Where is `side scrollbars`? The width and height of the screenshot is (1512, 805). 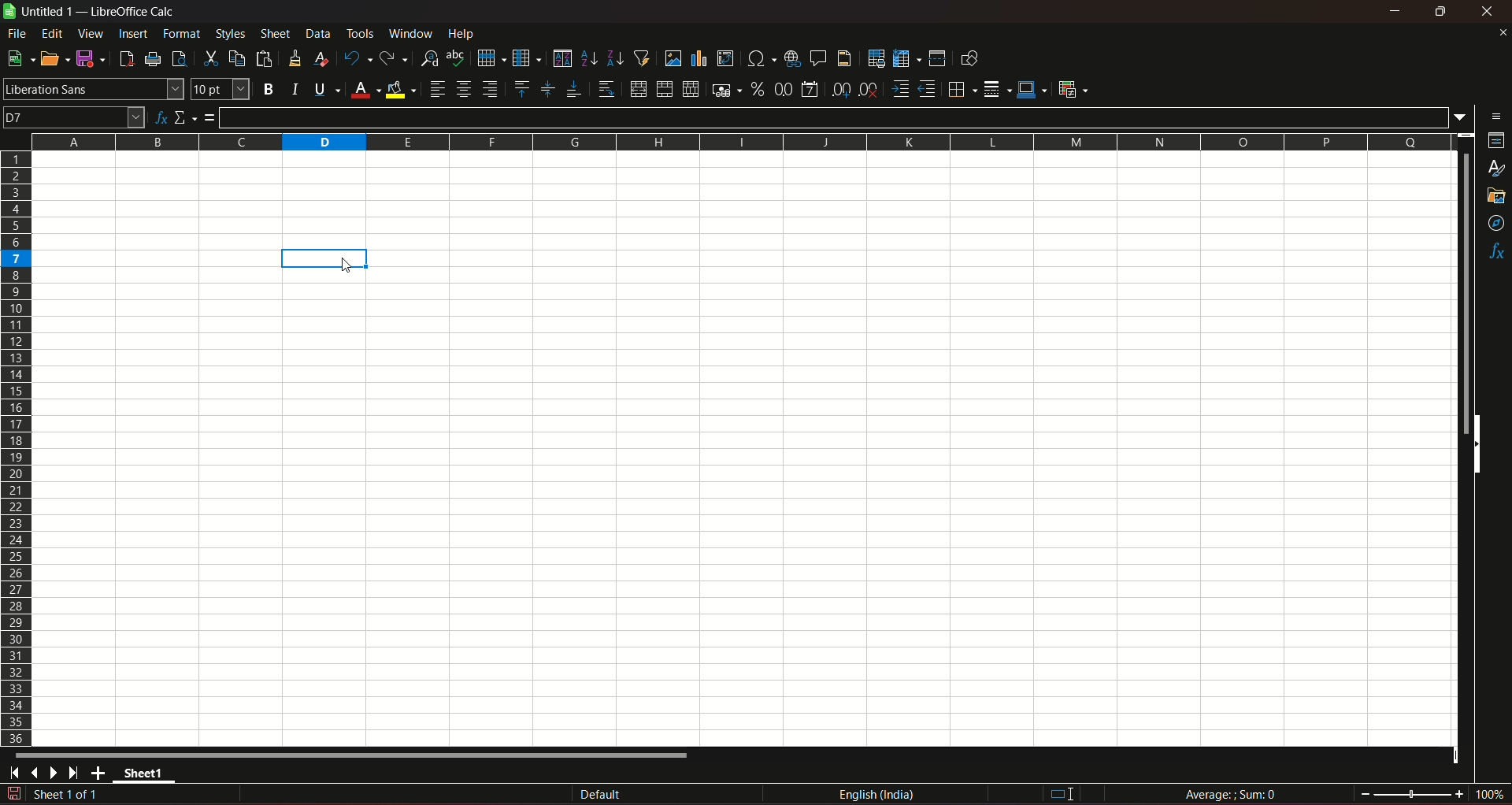 side scrollbars is located at coordinates (1477, 444).